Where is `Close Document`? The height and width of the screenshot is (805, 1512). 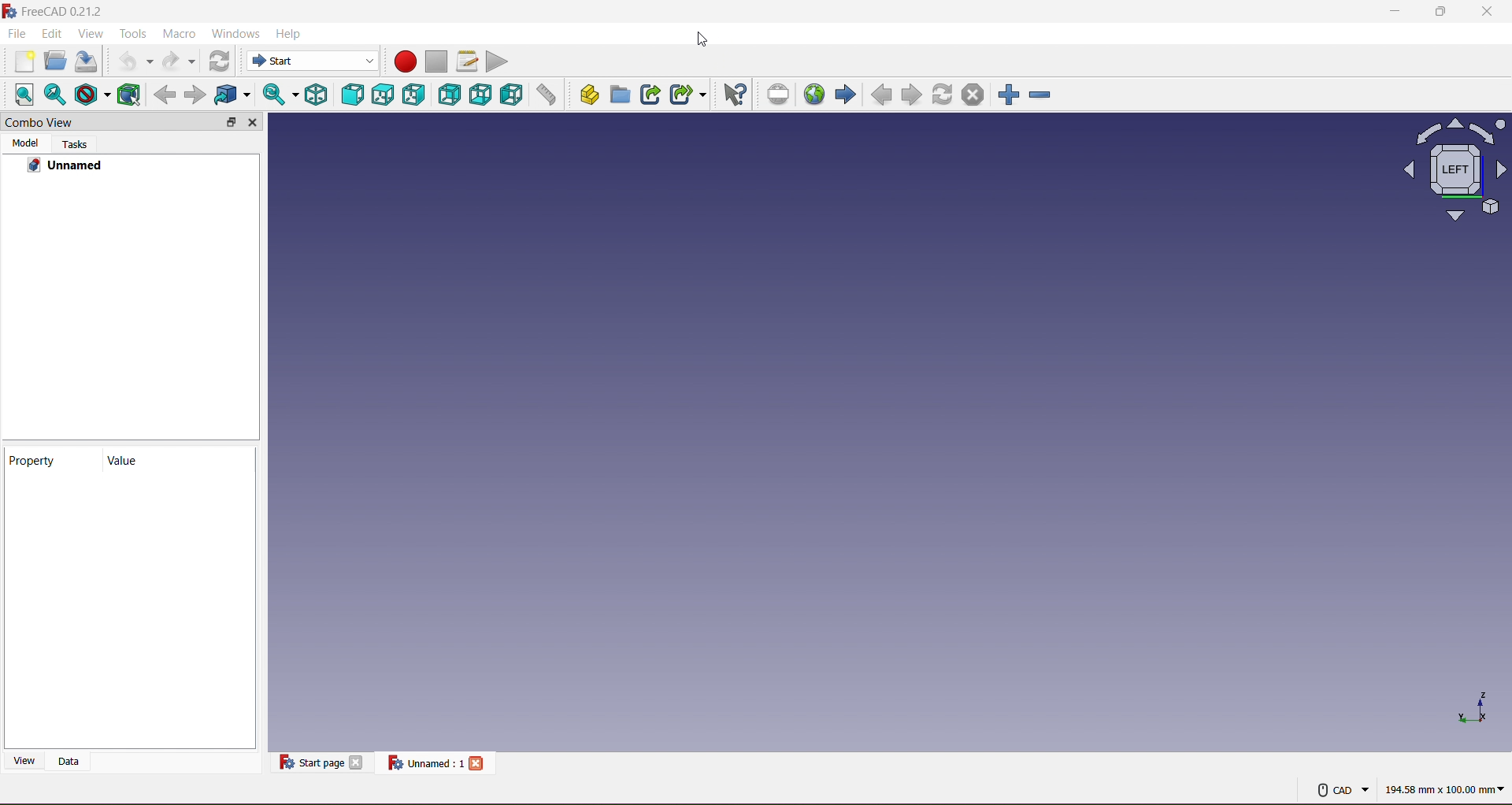 Close Document is located at coordinates (973, 94).